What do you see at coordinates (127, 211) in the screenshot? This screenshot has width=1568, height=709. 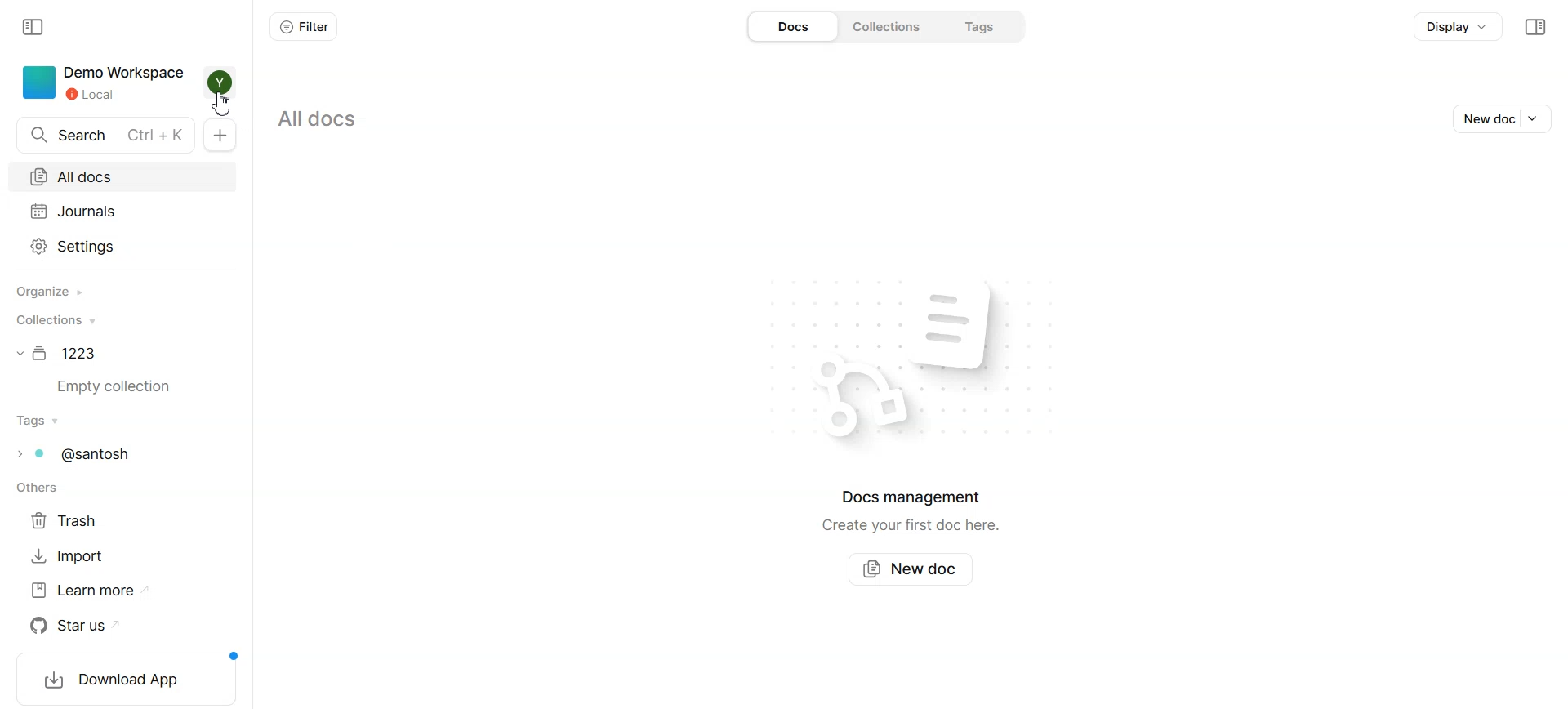 I see `Journals` at bounding box center [127, 211].